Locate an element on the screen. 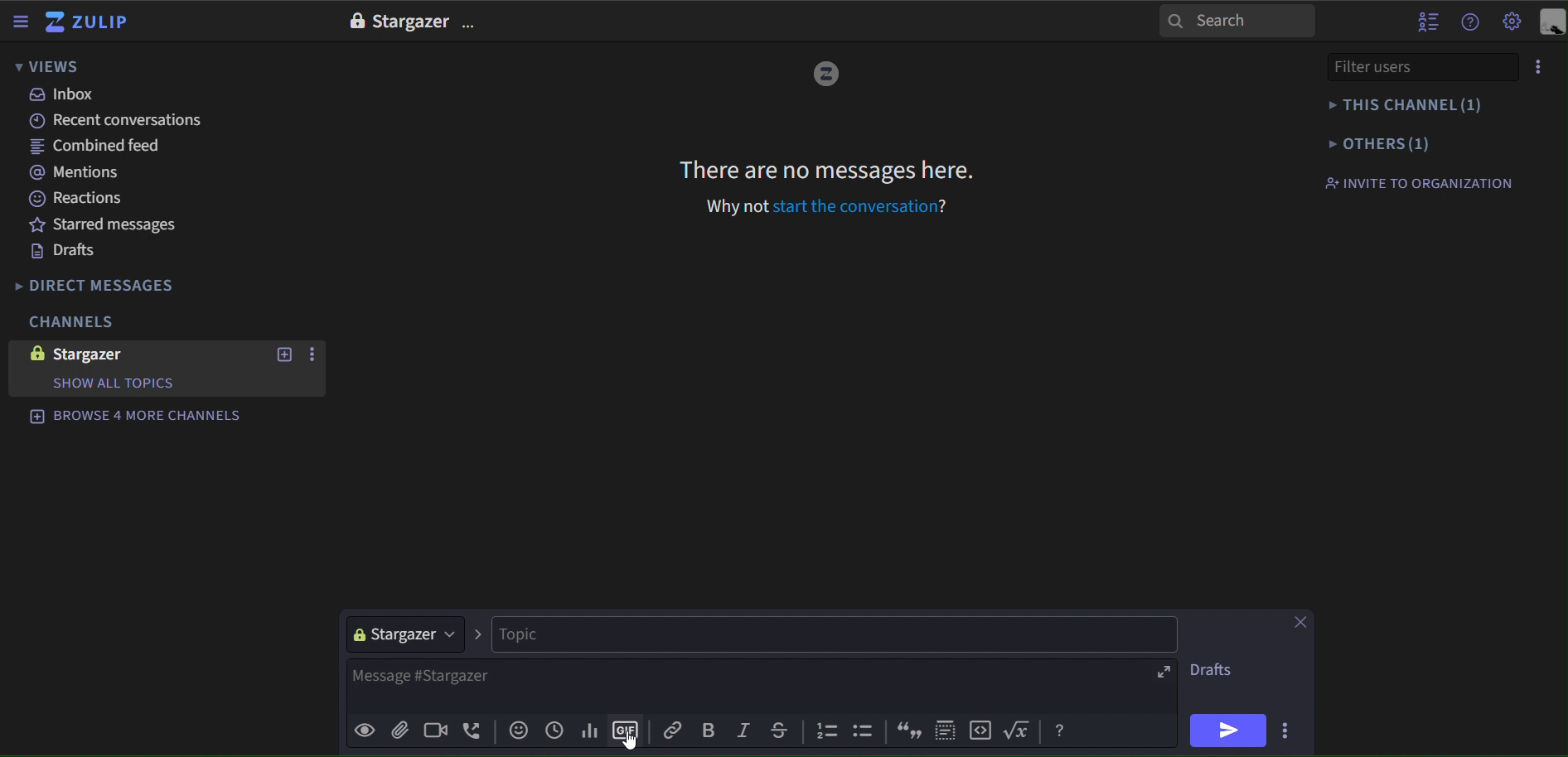 Image resolution: width=1568 pixels, height=757 pixels. hide sidebar is located at coordinates (22, 23).